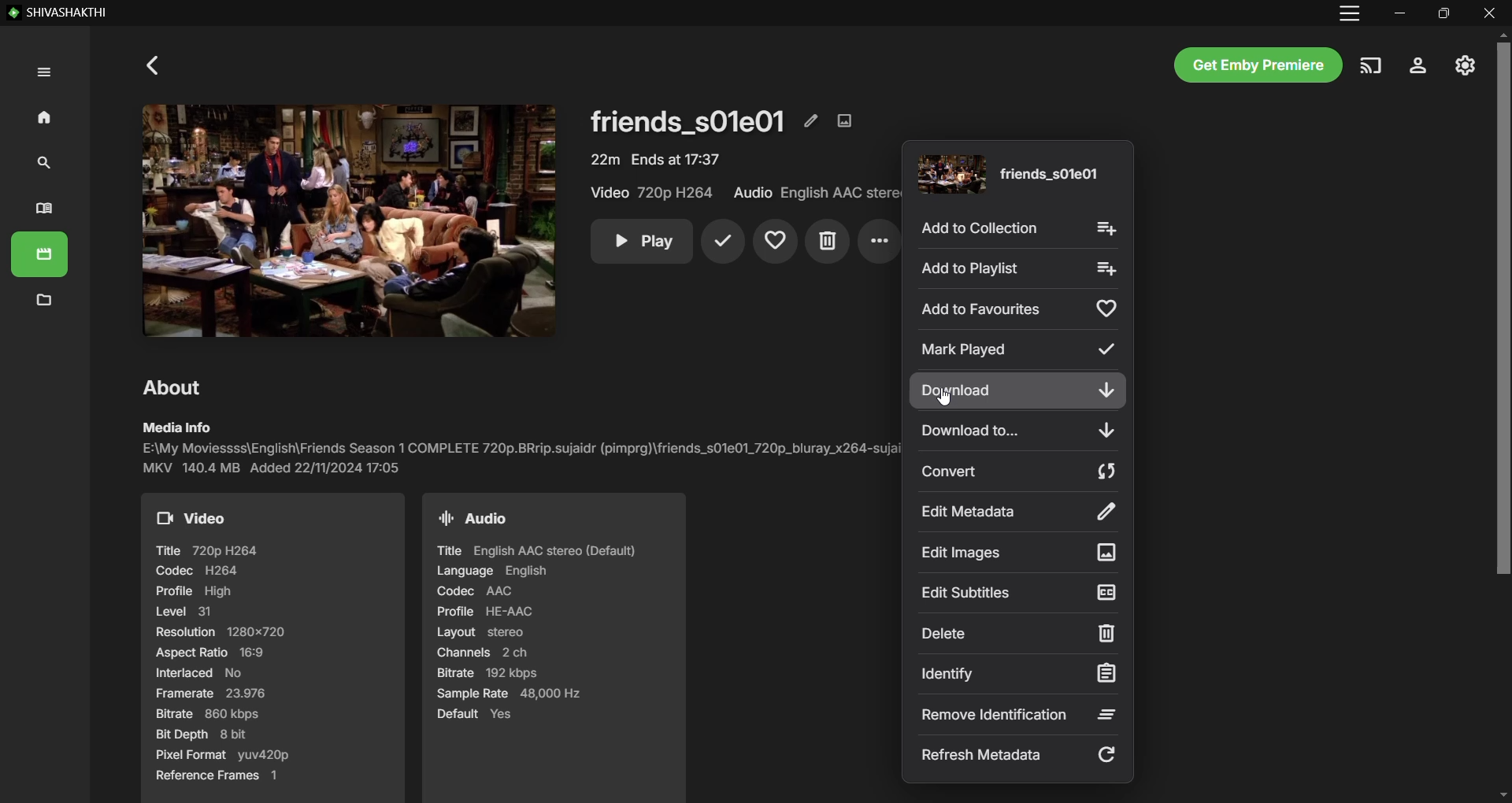 Image resolution: width=1512 pixels, height=803 pixels. Describe the element at coordinates (1350, 13) in the screenshot. I see `` at that location.